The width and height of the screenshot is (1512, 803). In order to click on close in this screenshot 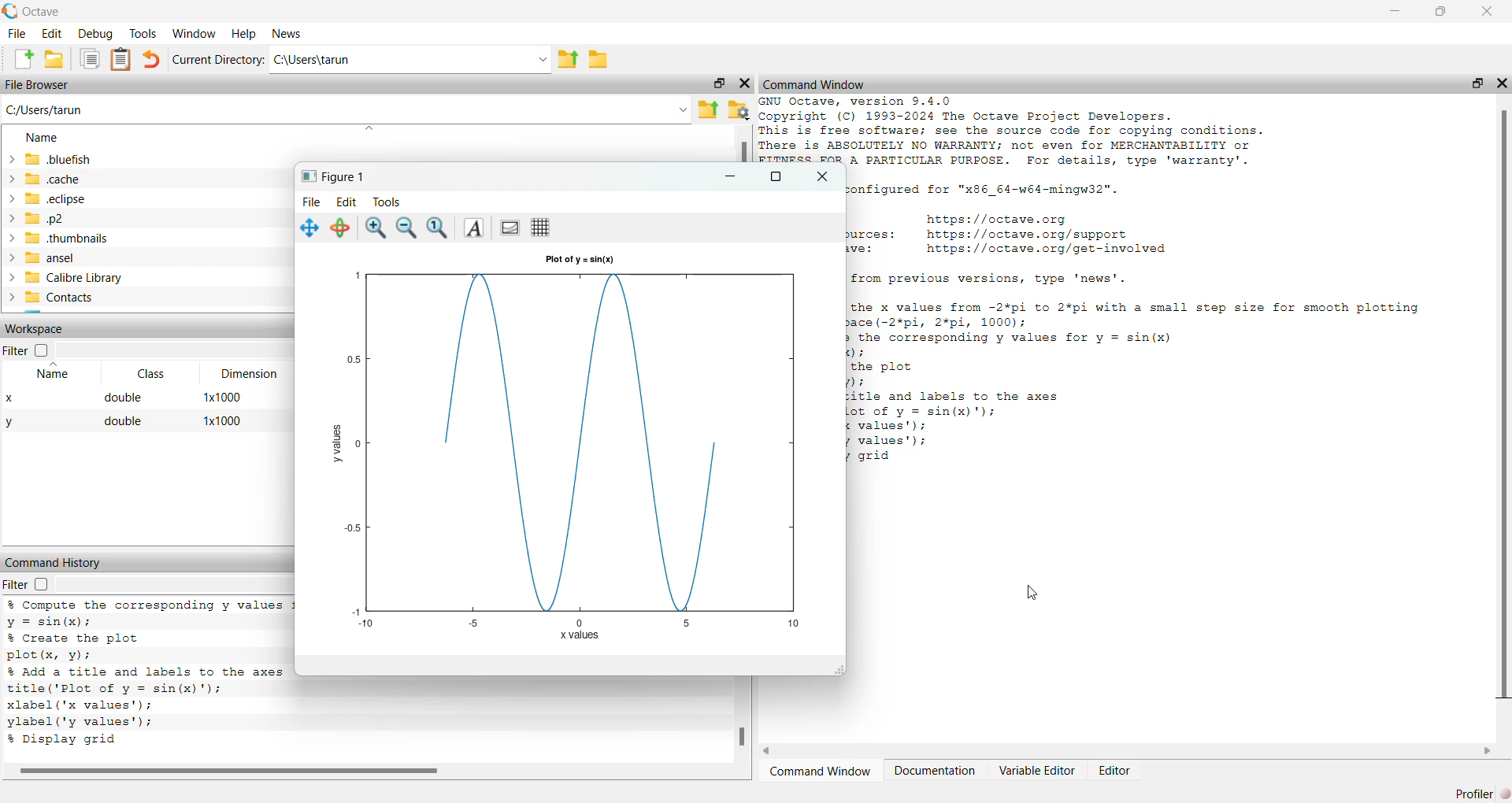, I will do `click(820, 177)`.